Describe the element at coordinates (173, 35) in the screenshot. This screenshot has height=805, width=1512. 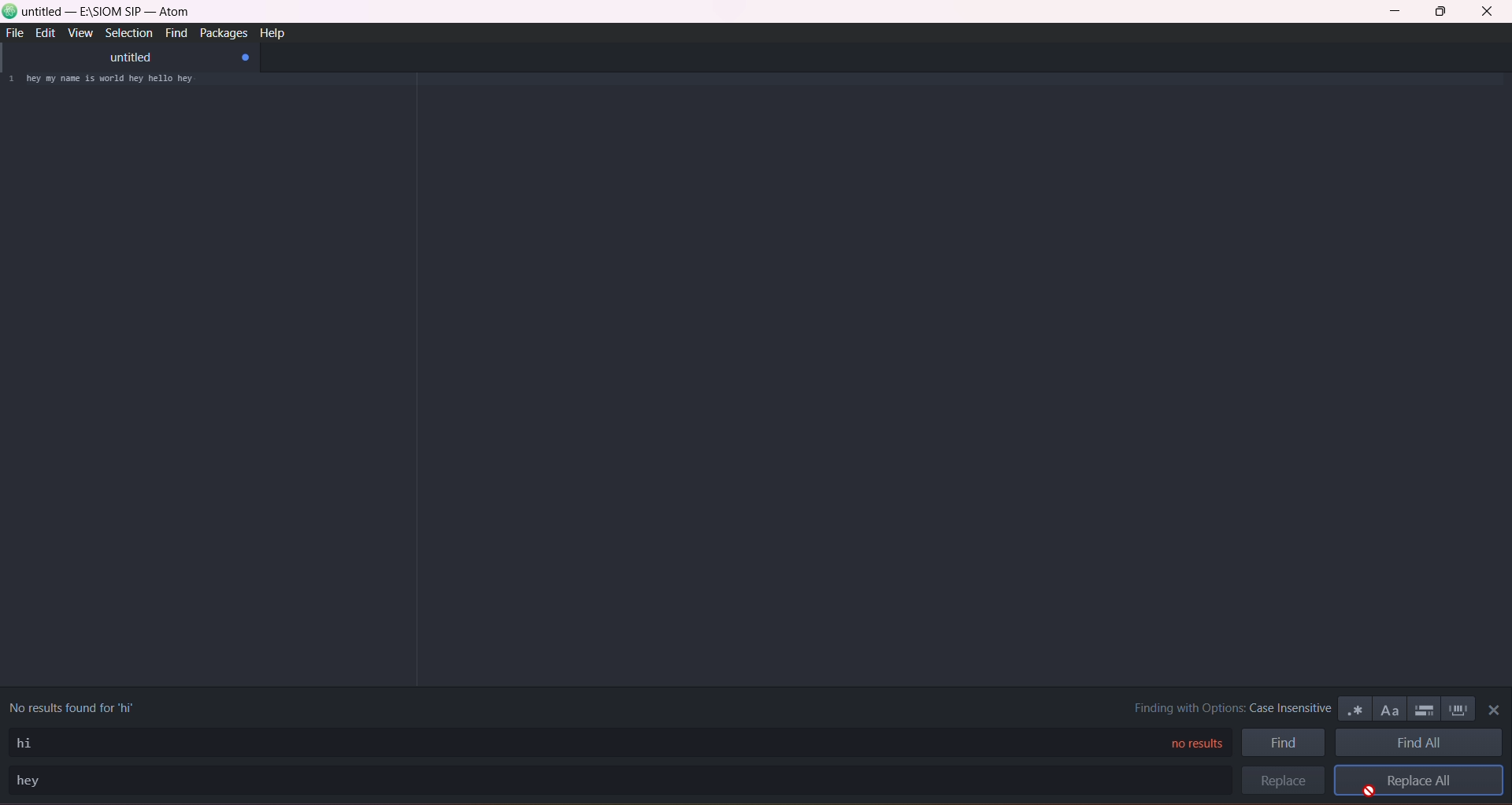
I see `find` at that location.